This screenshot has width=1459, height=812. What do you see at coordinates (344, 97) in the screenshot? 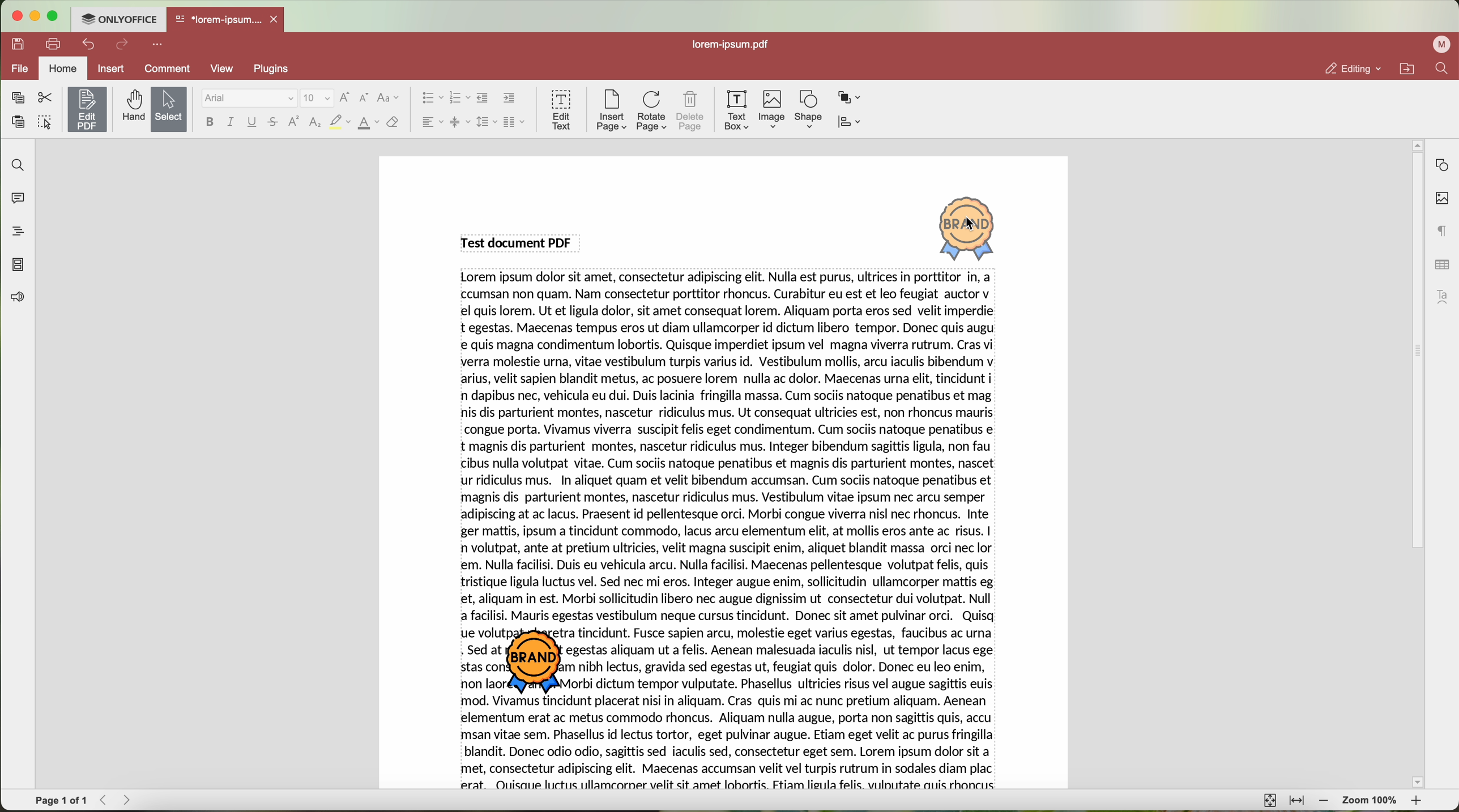
I see `increment font size` at bounding box center [344, 97].